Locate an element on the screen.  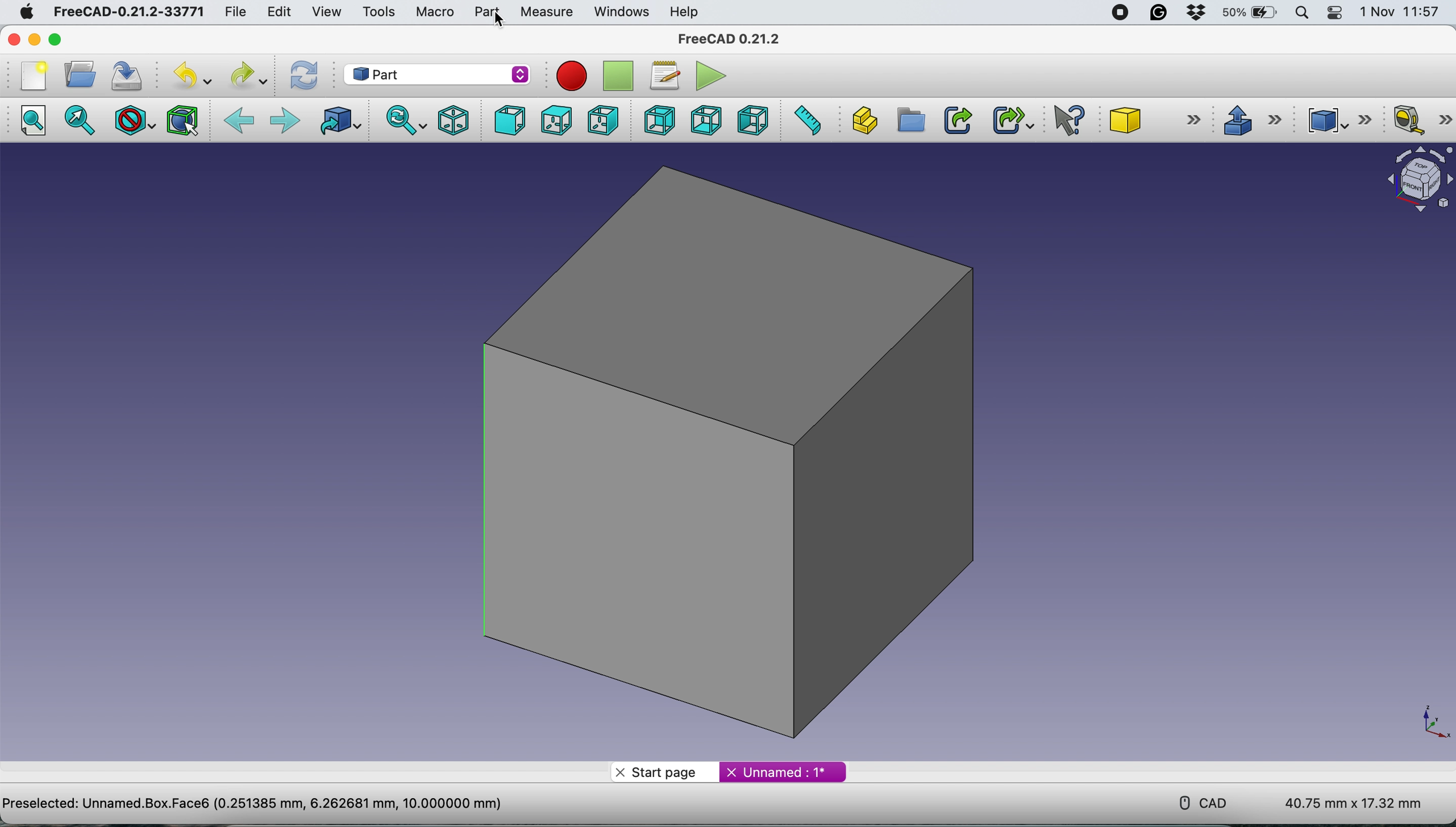
cube is located at coordinates (1154, 119).